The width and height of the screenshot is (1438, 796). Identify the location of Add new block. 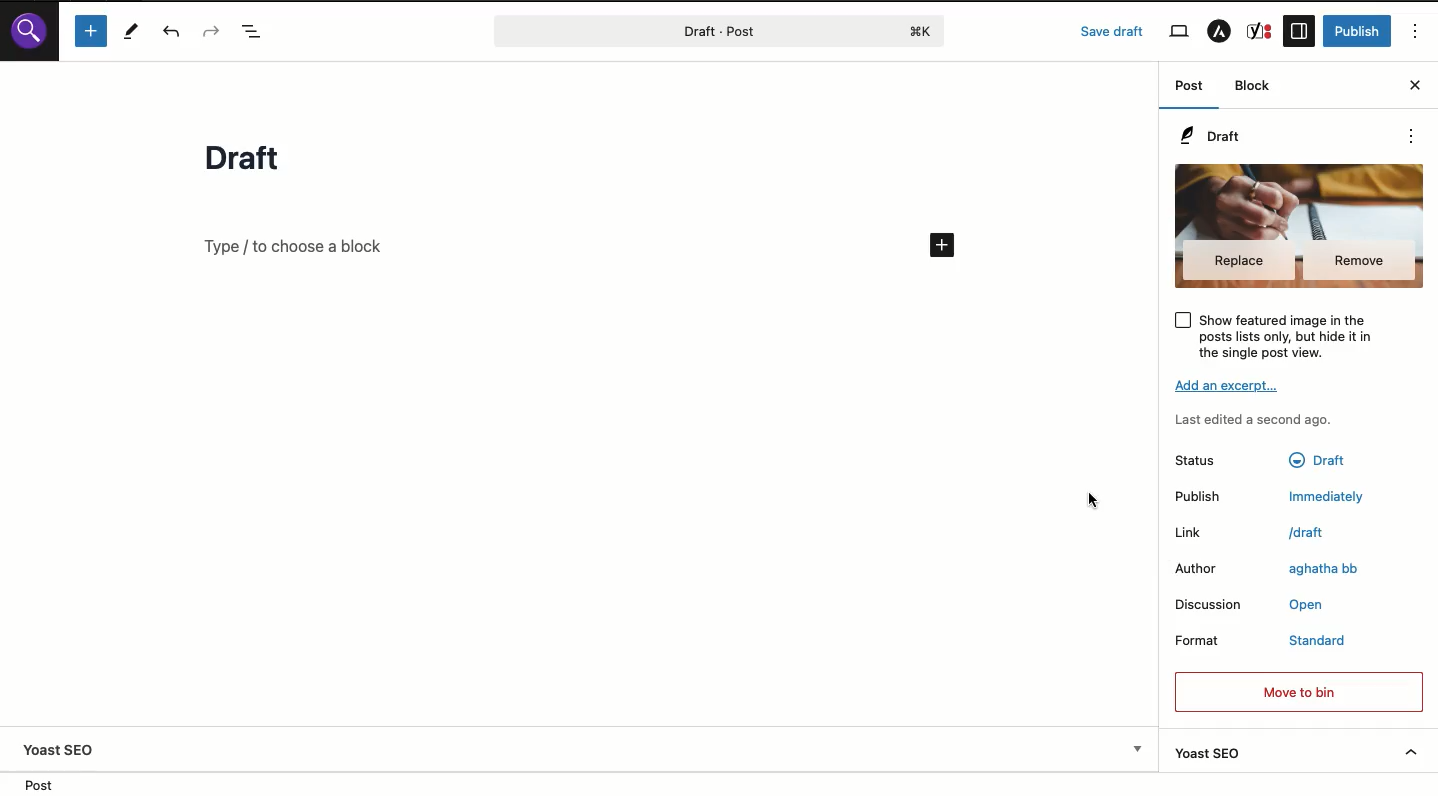
(296, 245).